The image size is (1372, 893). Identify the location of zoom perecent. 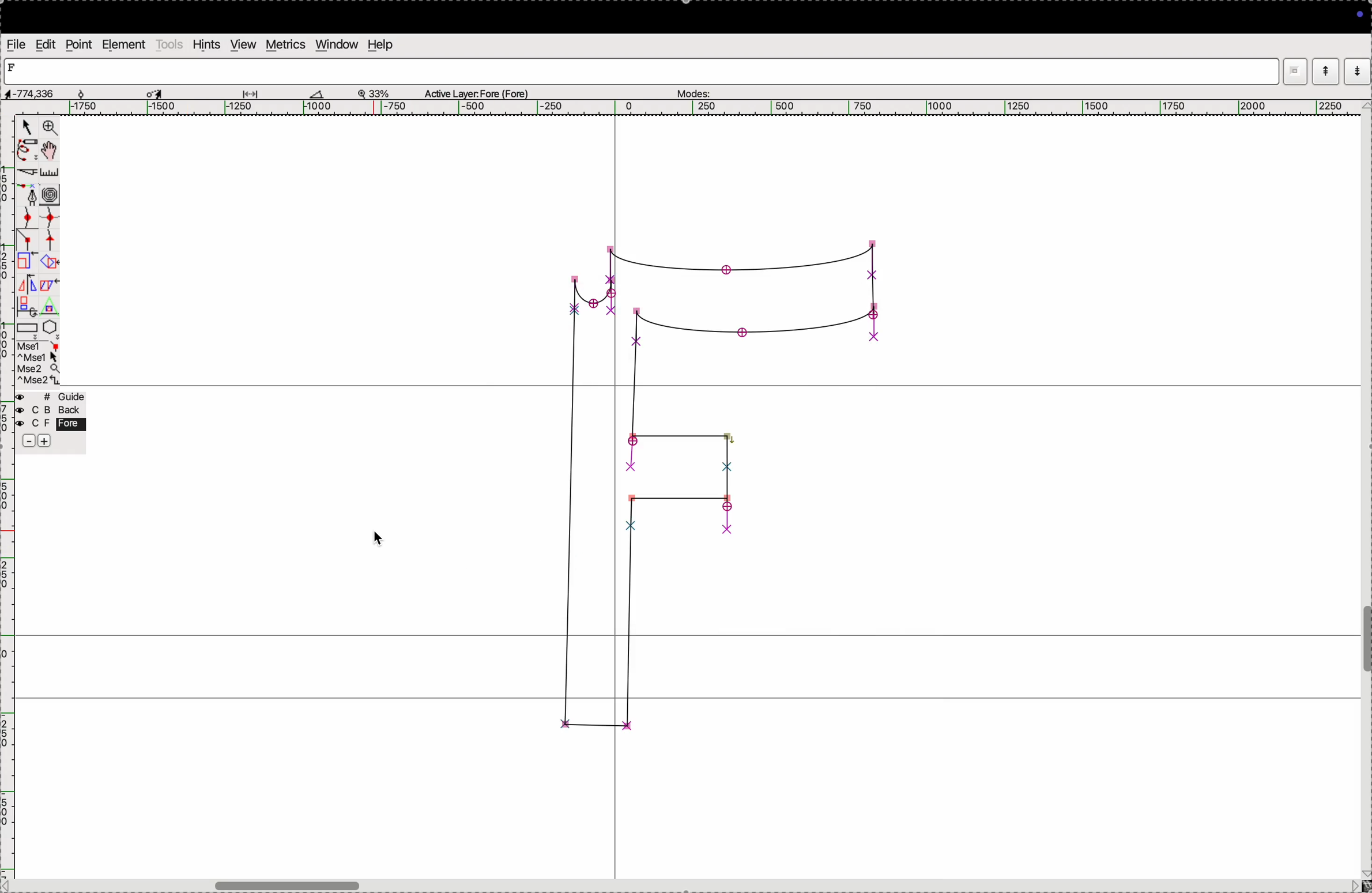
(374, 92).